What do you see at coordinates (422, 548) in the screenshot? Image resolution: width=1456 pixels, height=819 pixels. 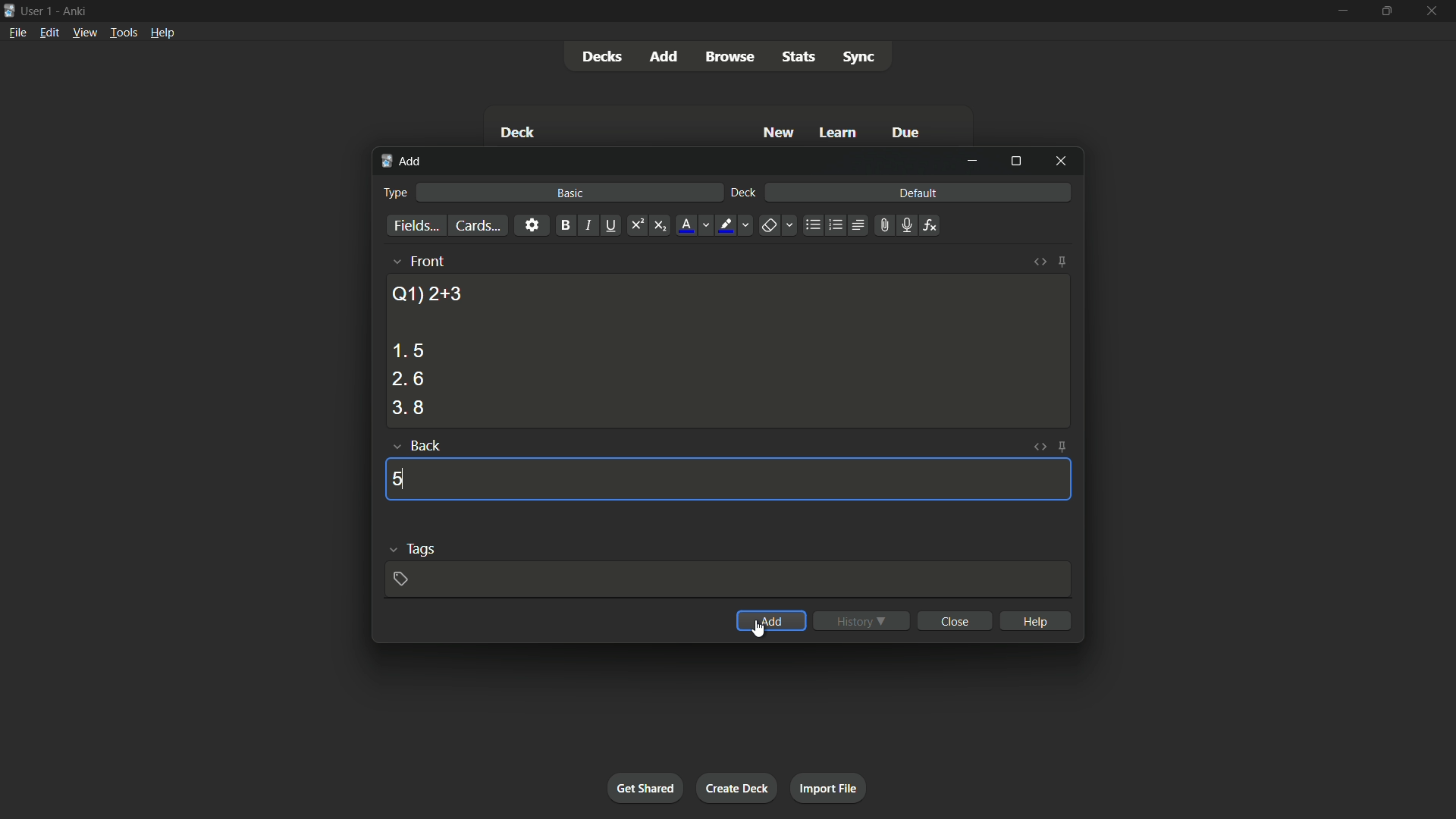 I see `tags` at bounding box center [422, 548].